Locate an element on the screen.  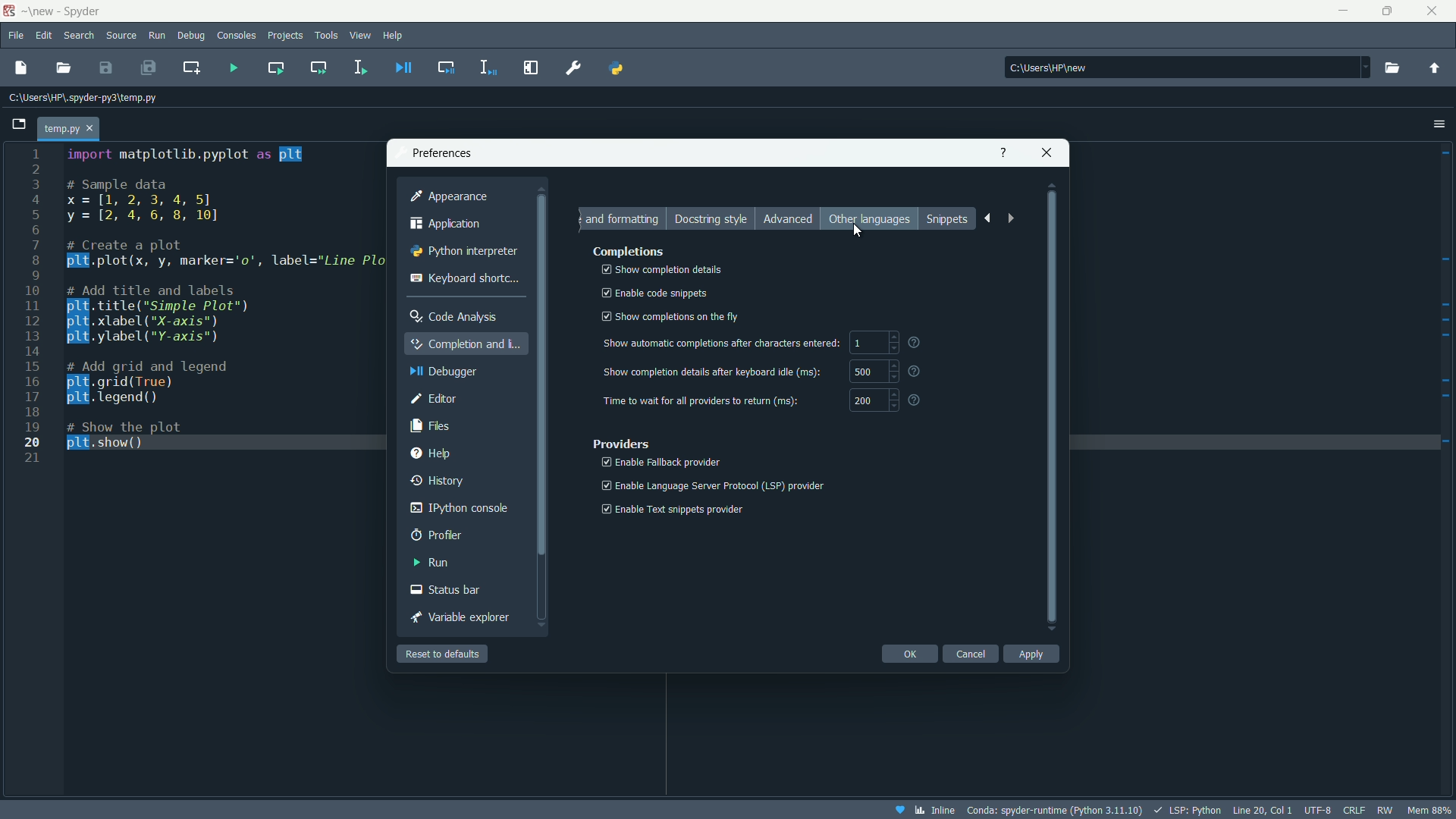
file directory is located at coordinates (83, 97).